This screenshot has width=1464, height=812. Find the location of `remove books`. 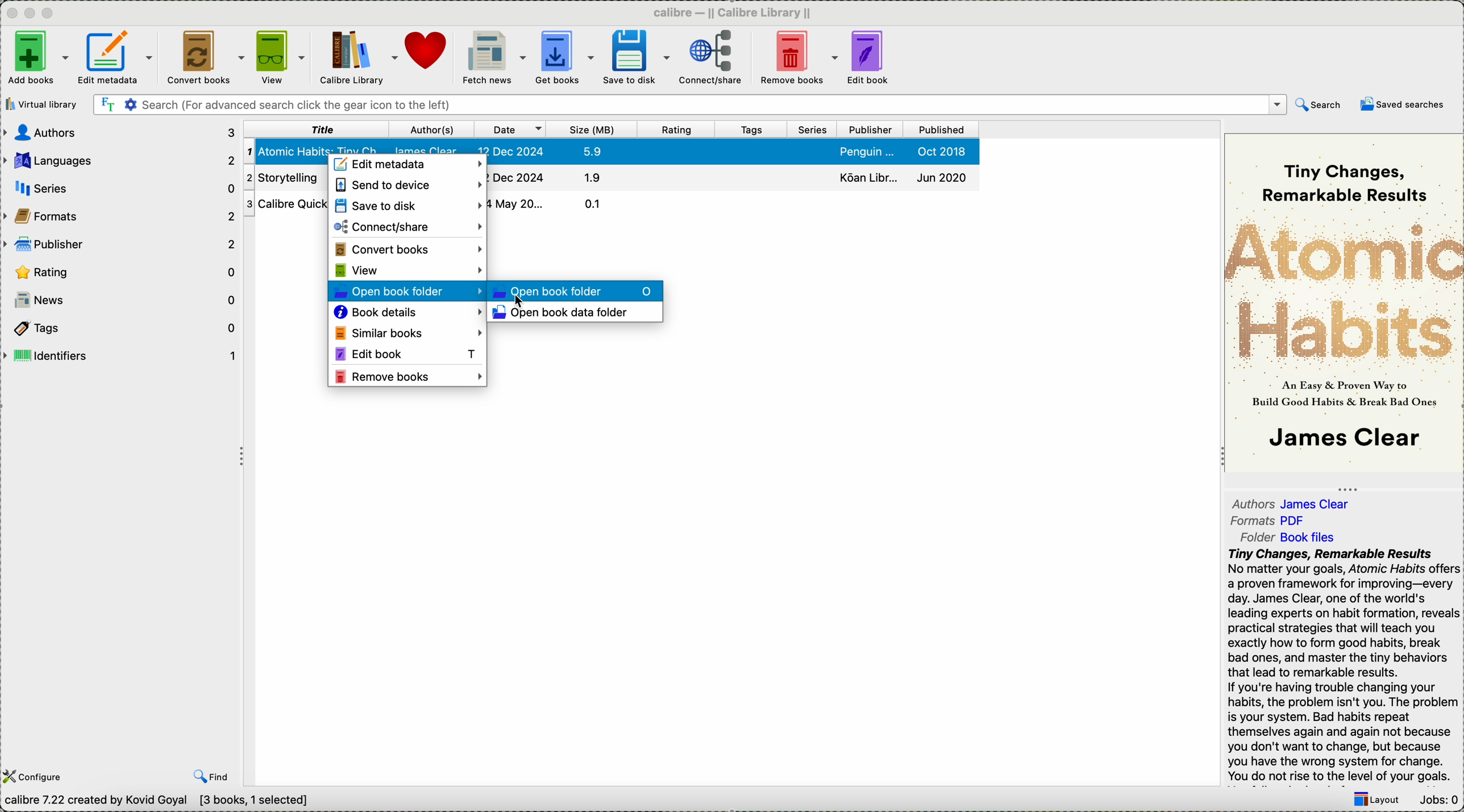

remove books is located at coordinates (409, 377).